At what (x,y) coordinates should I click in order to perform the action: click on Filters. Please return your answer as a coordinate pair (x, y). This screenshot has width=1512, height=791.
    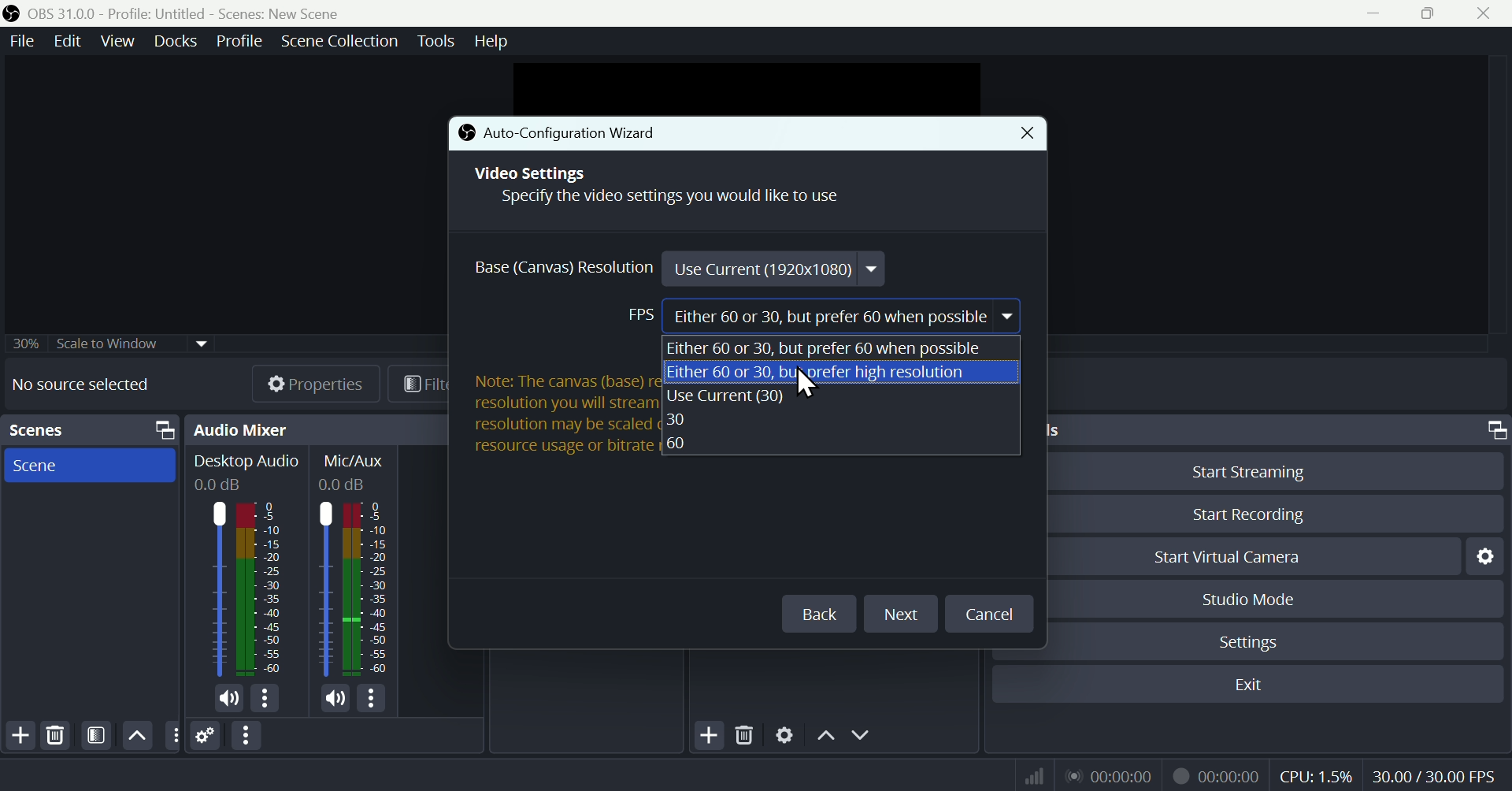
    Looking at the image, I should click on (419, 383).